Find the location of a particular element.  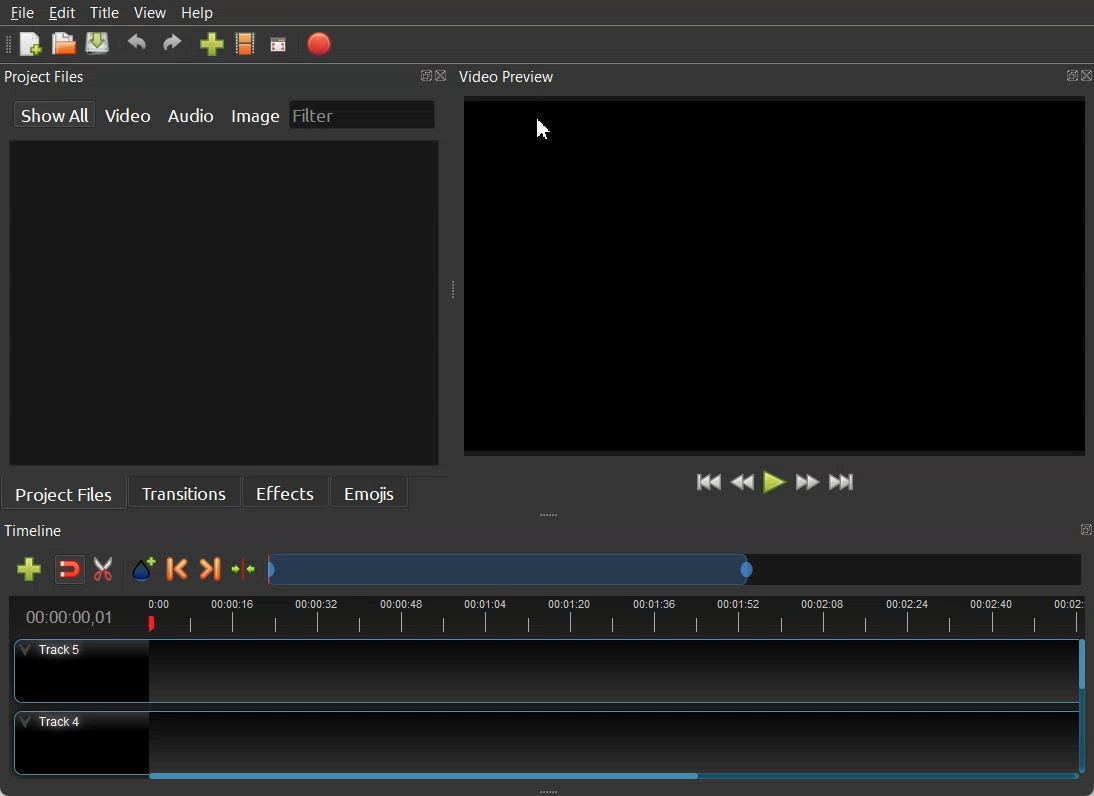

Maximize is located at coordinates (426, 75).